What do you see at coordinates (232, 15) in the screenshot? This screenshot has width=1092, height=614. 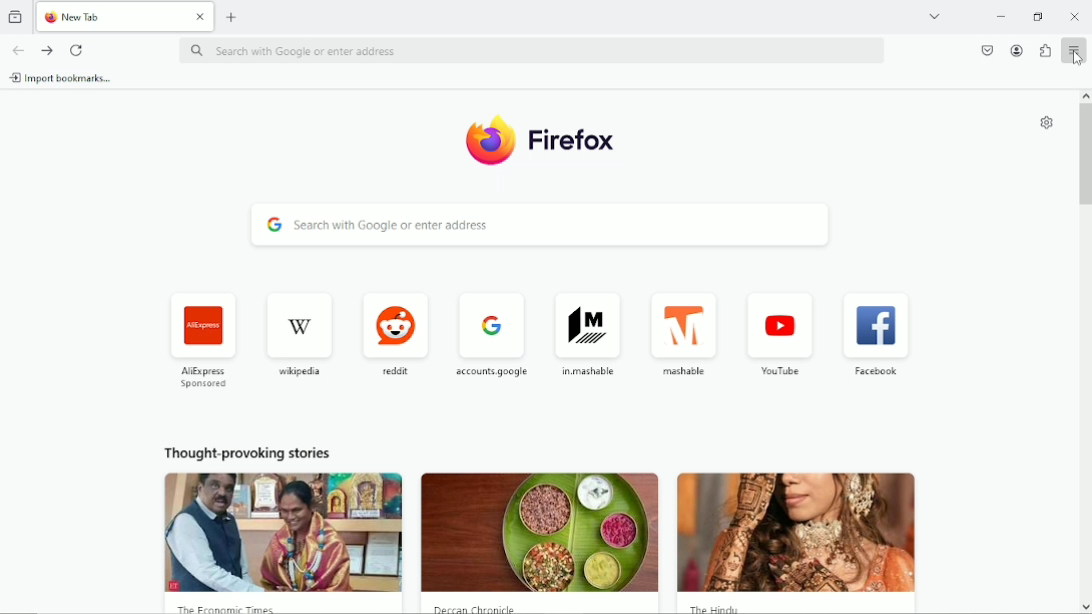 I see `new tab` at bounding box center [232, 15].